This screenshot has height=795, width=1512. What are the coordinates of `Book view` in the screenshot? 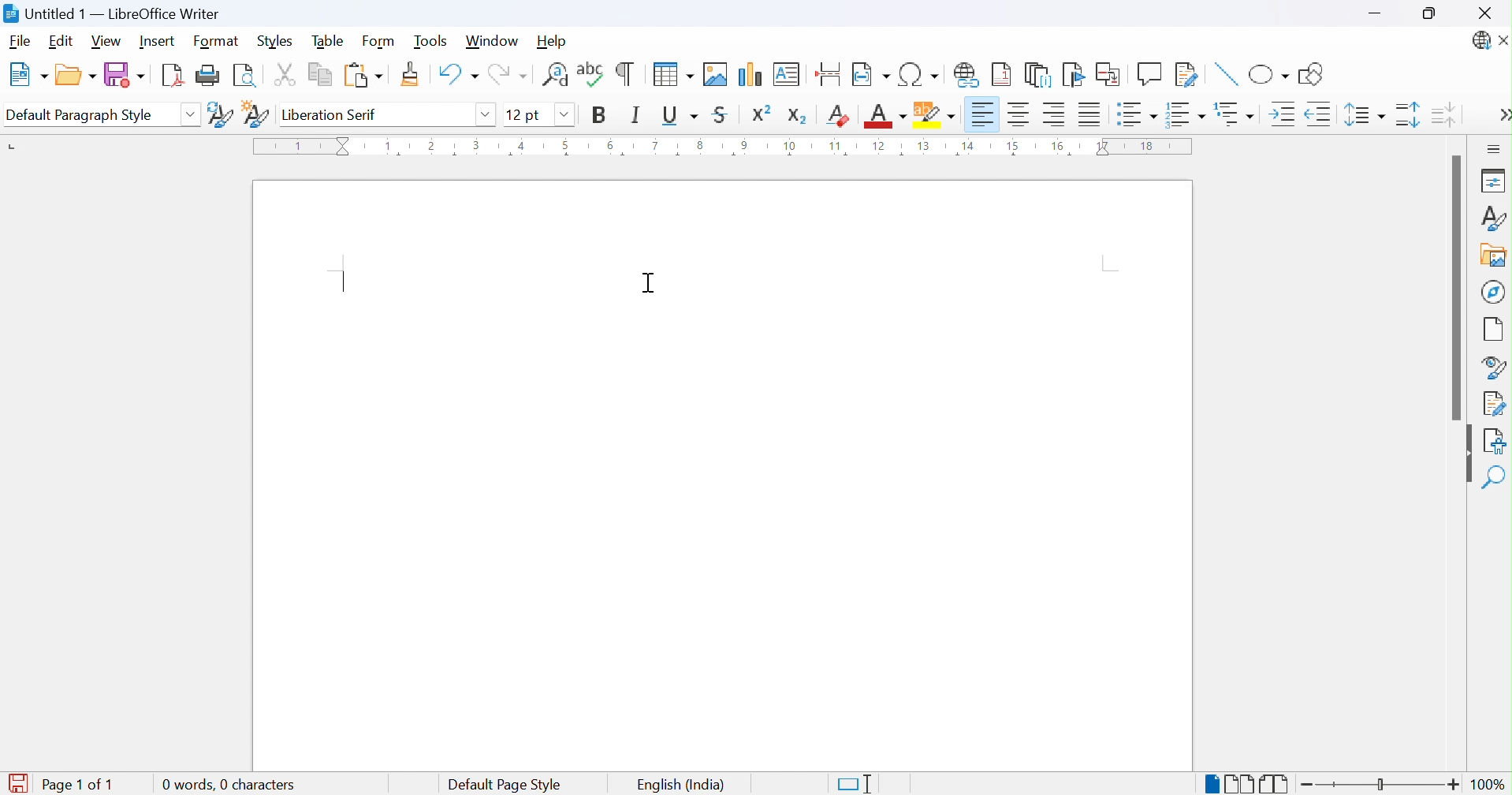 It's located at (1279, 784).